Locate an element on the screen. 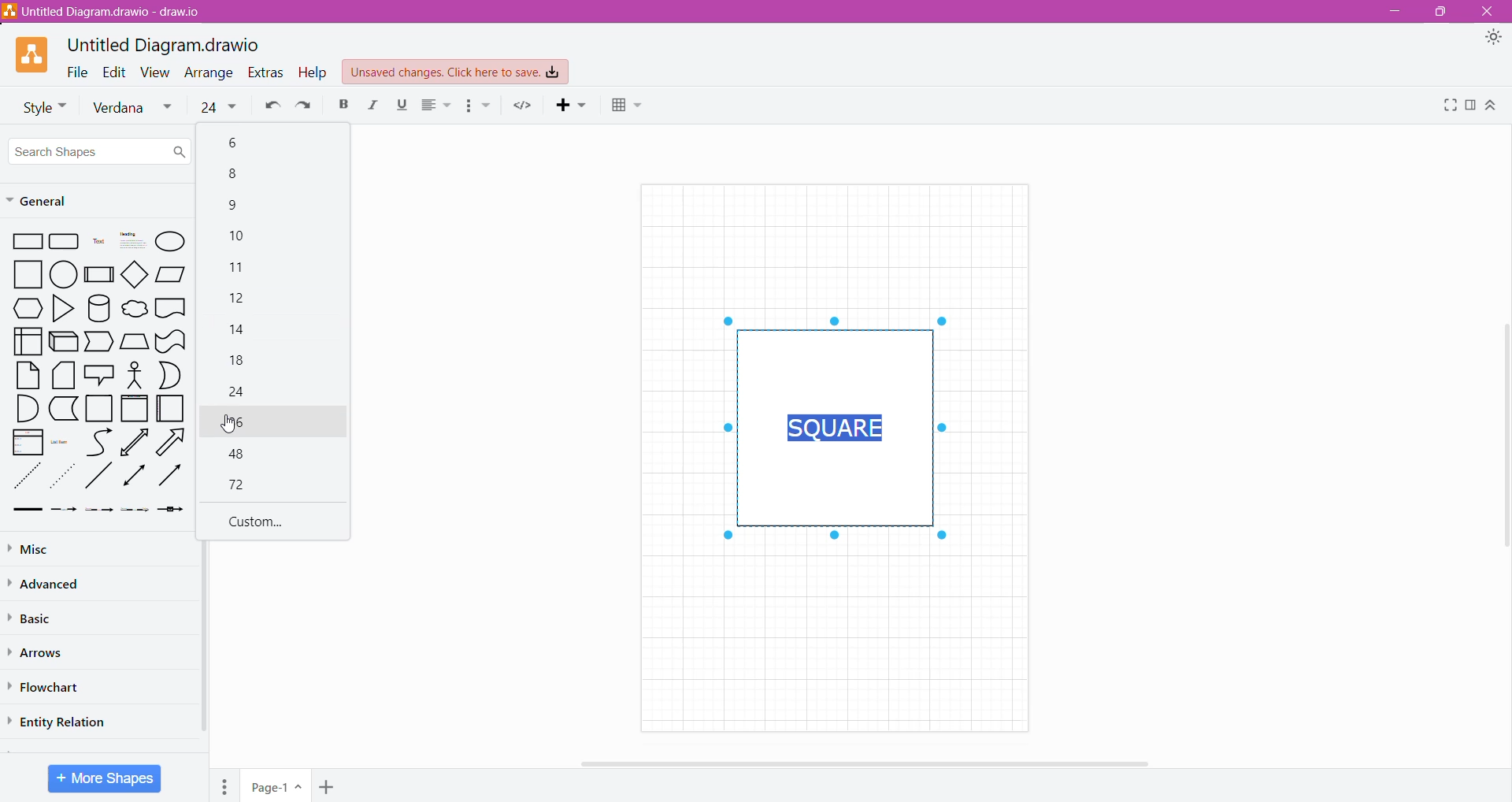  Thick line is located at coordinates (27, 510).